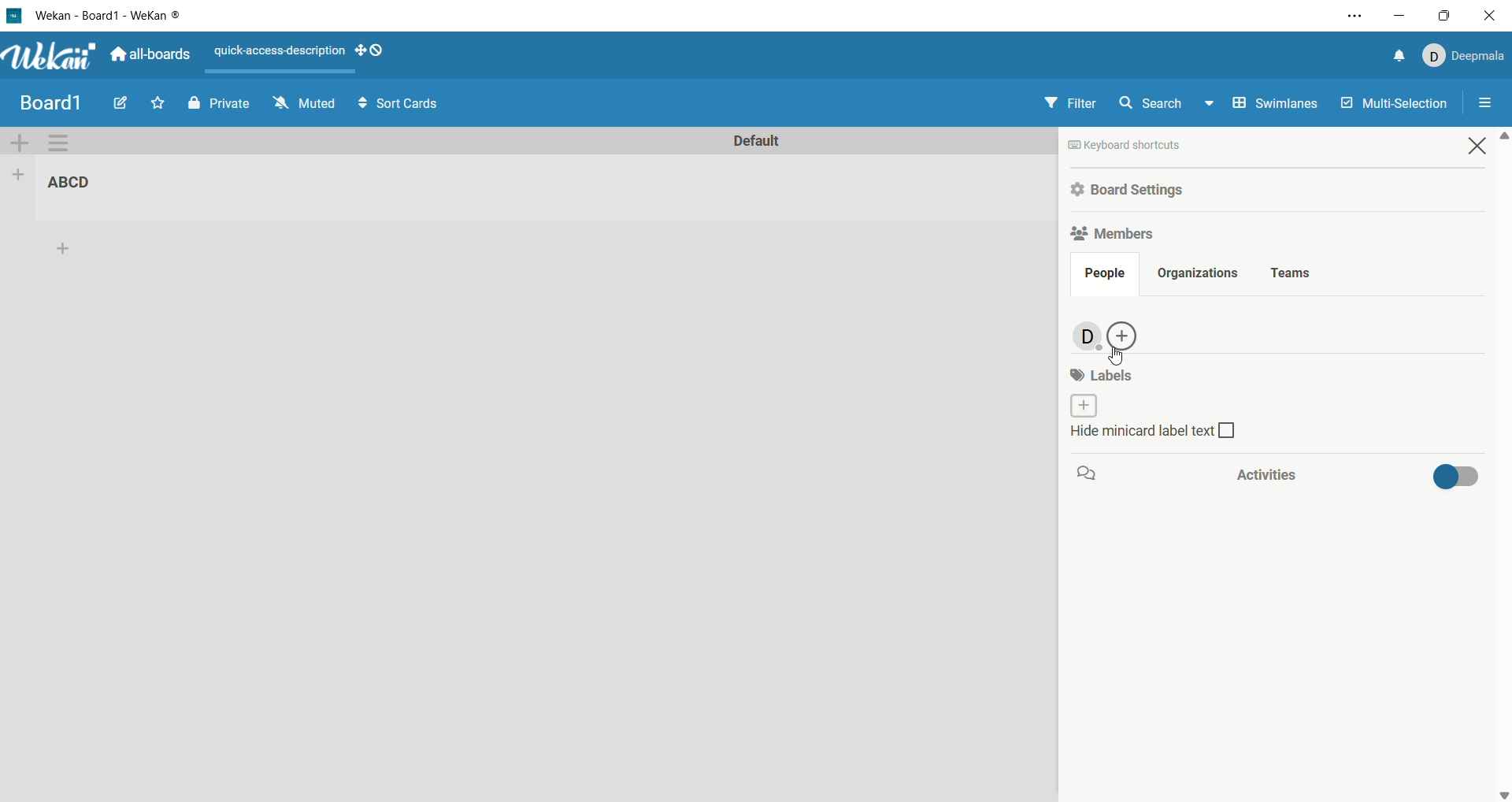  Describe the element at coordinates (1131, 191) in the screenshot. I see `board settings` at that location.